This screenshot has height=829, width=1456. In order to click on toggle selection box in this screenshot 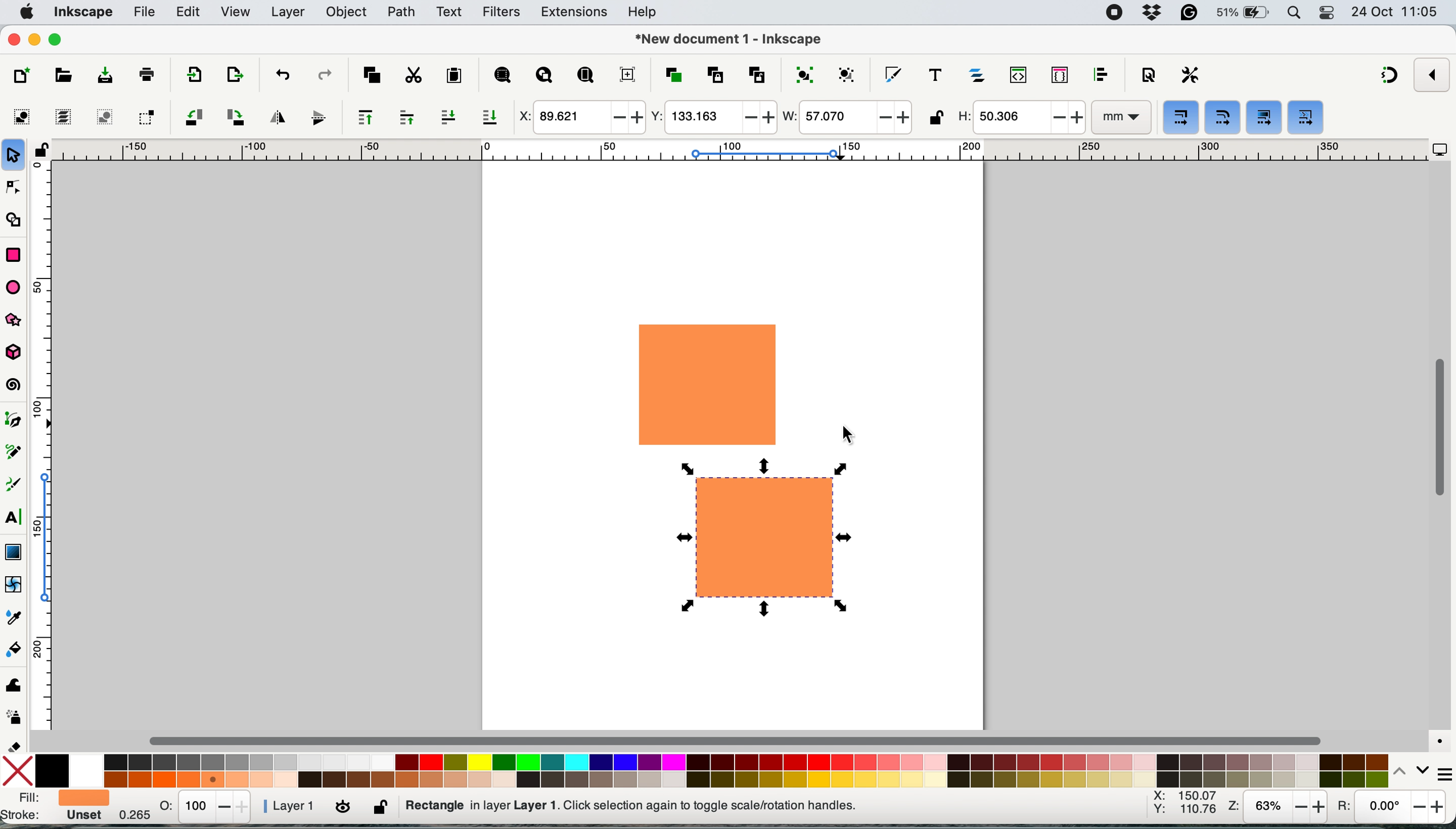, I will do `click(146, 116)`.